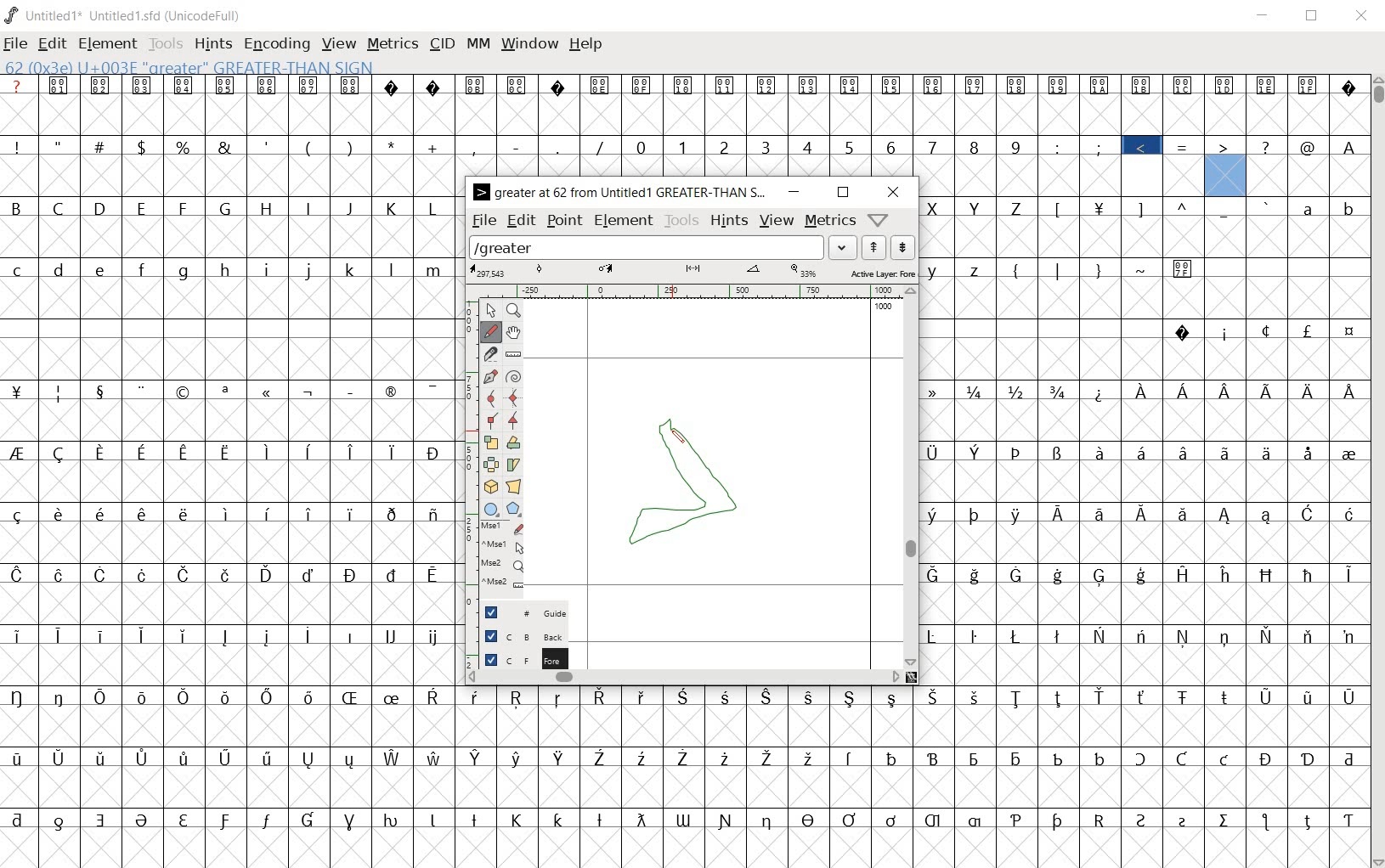 The height and width of the screenshot is (868, 1385). Describe the element at coordinates (913, 777) in the screenshot. I see `glyph characters` at that location.